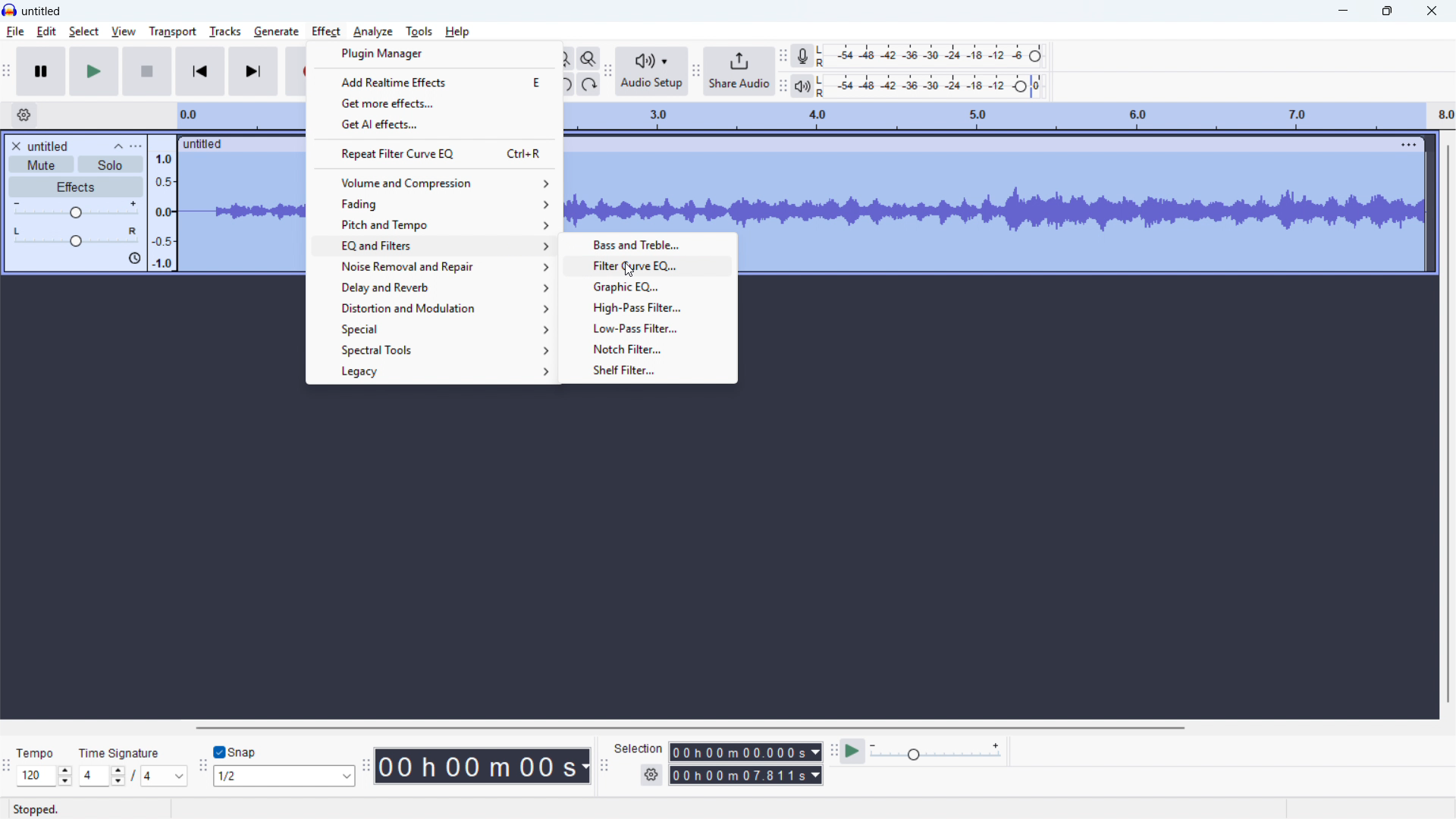 This screenshot has height=819, width=1456. I want to click on stop, so click(148, 71).